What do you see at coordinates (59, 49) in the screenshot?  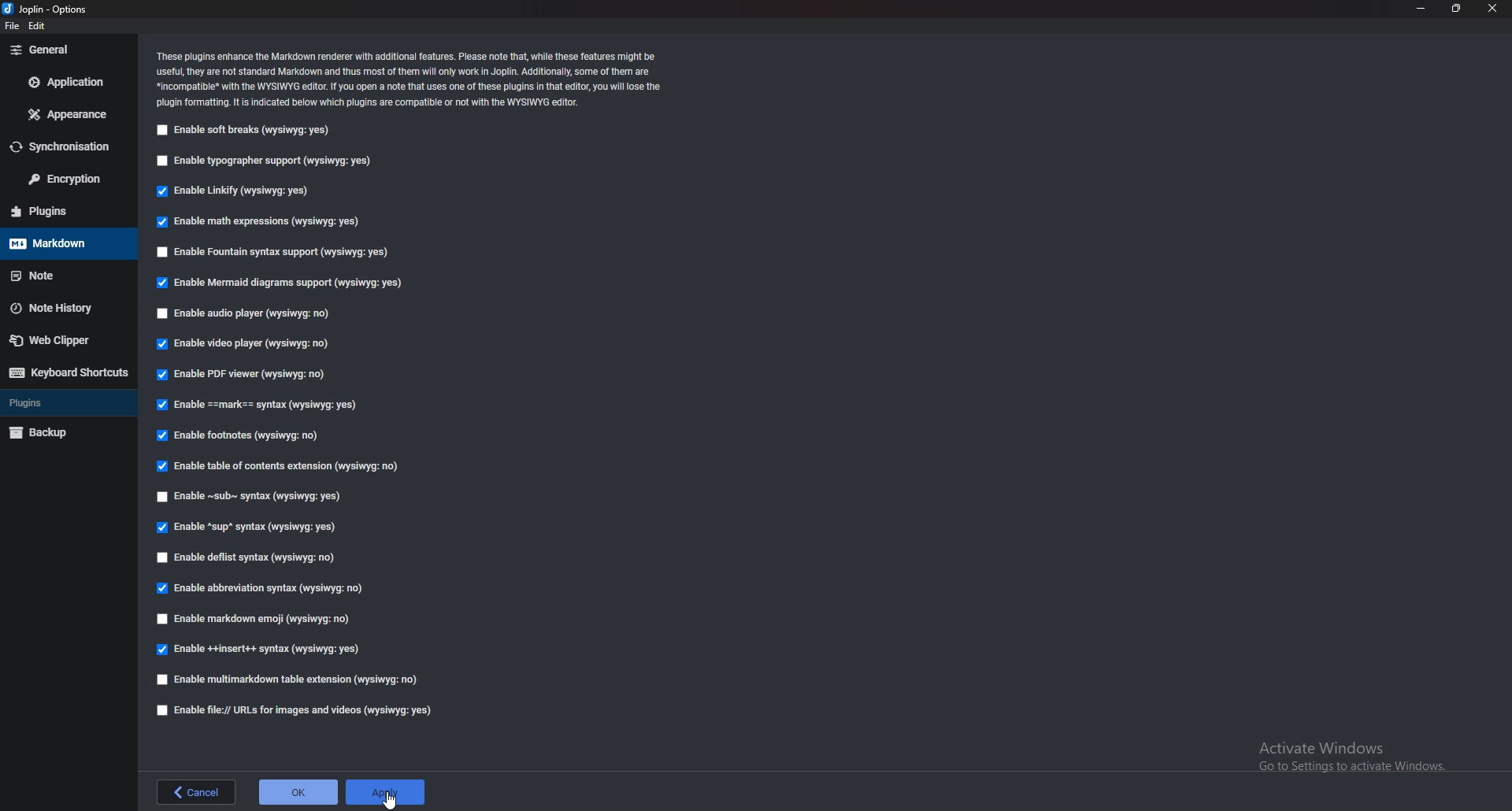 I see `General` at bounding box center [59, 49].